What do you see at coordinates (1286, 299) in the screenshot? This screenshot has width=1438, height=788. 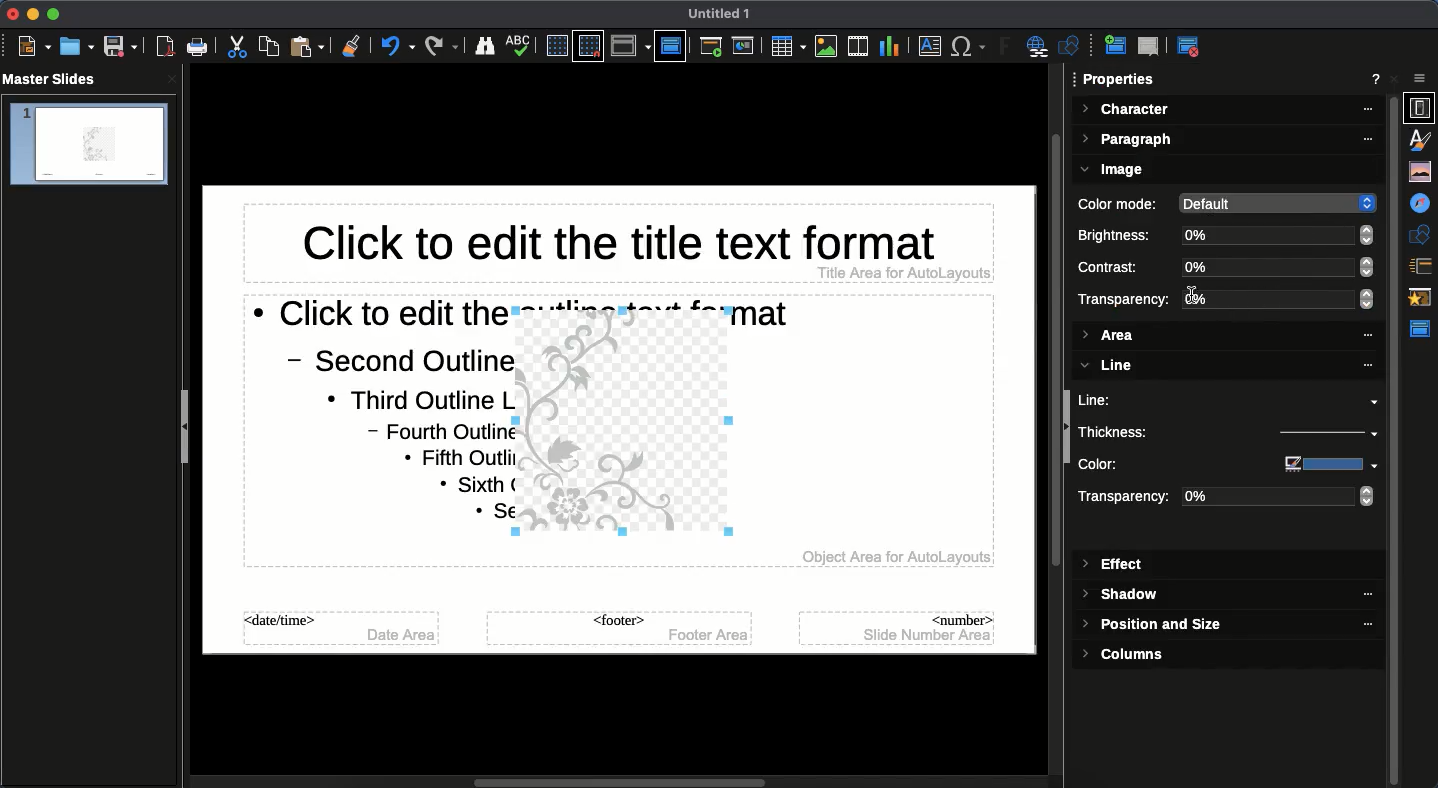 I see `0%` at bounding box center [1286, 299].